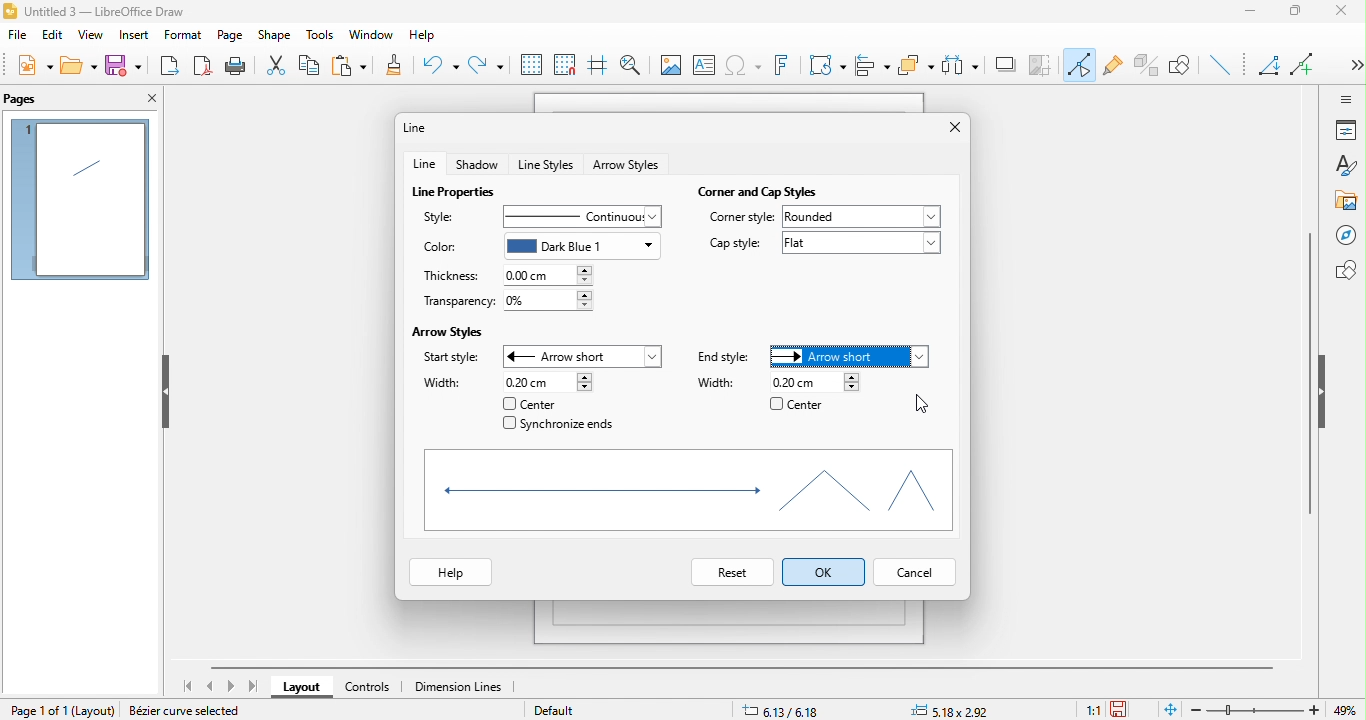 This screenshot has height=720, width=1366. Describe the element at coordinates (301, 689) in the screenshot. I see `layout` at that location.